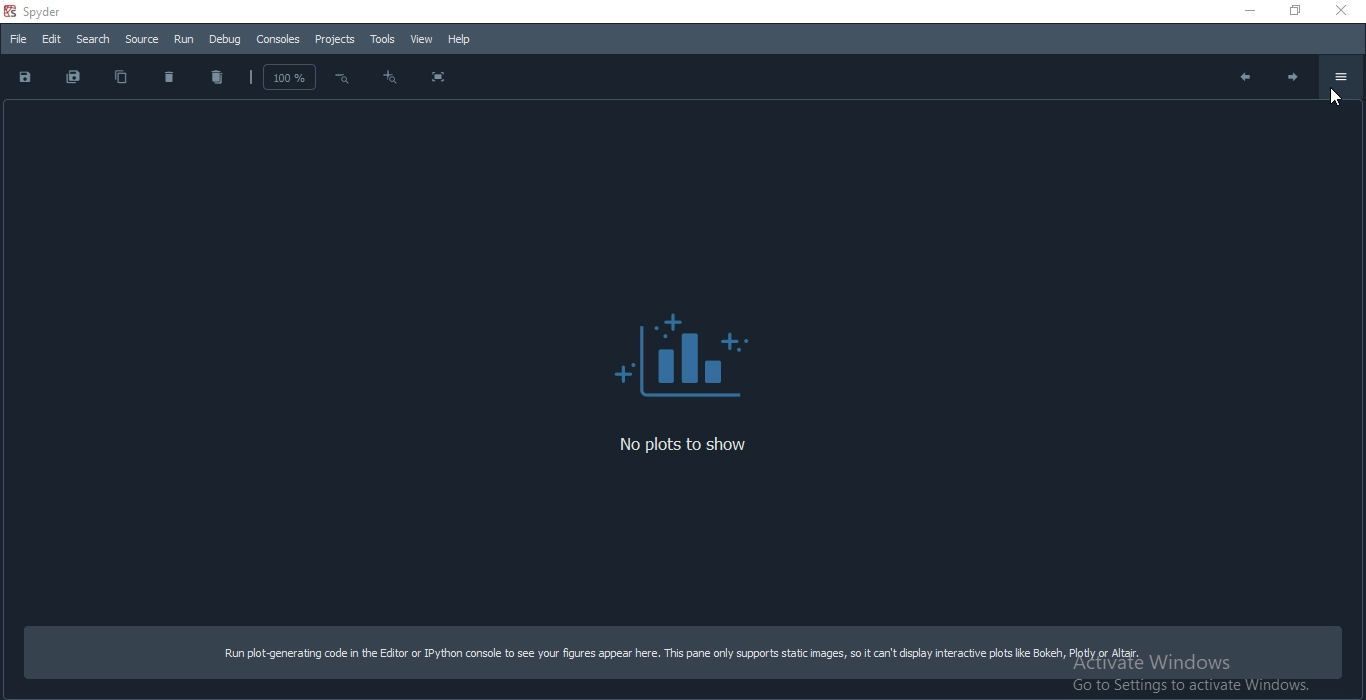 This screenshot has height=700, width=1366. I want to click on Edit, so click(51, 39).